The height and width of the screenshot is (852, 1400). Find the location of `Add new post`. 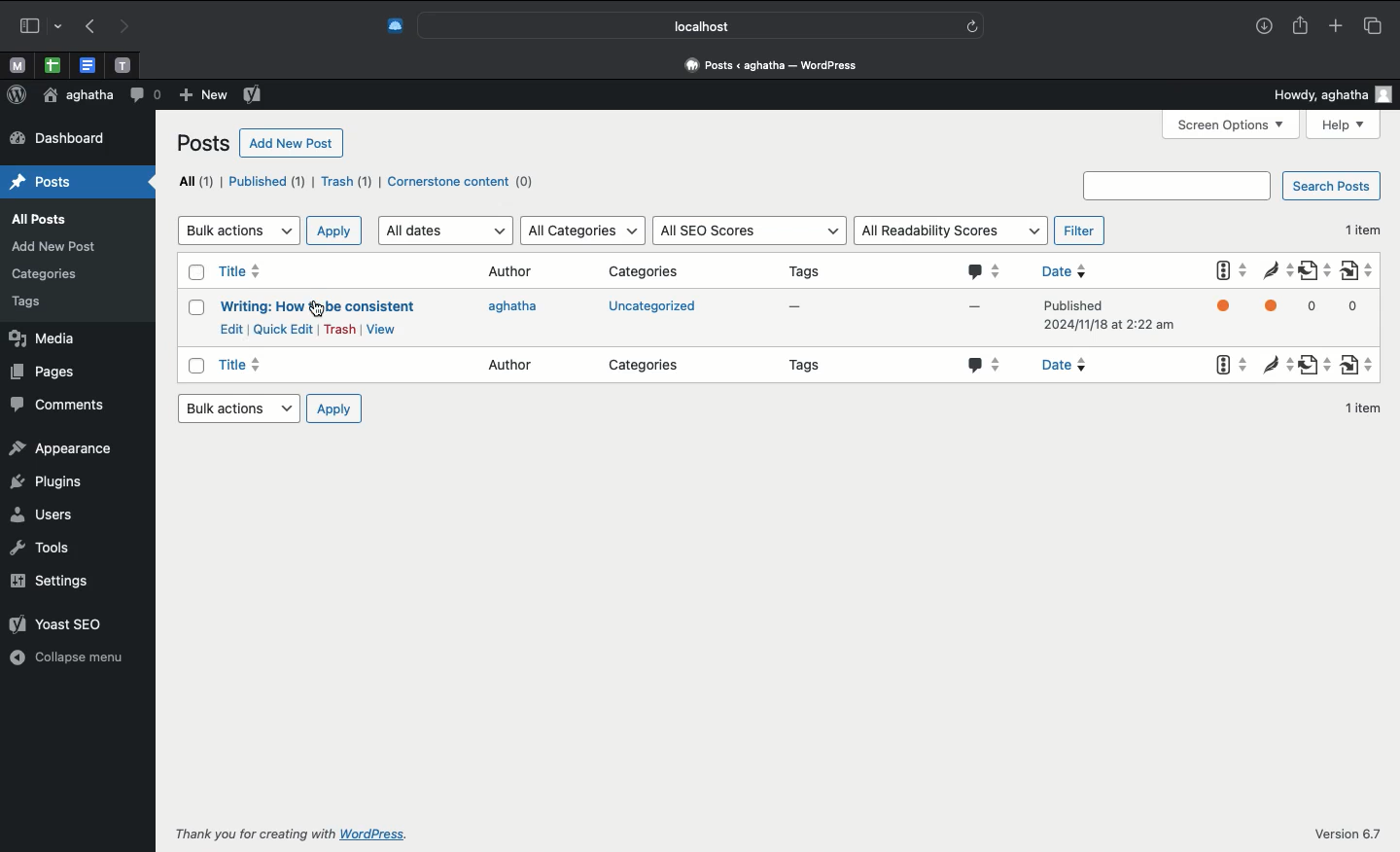

Add new post is located at coordinates (292, 144).